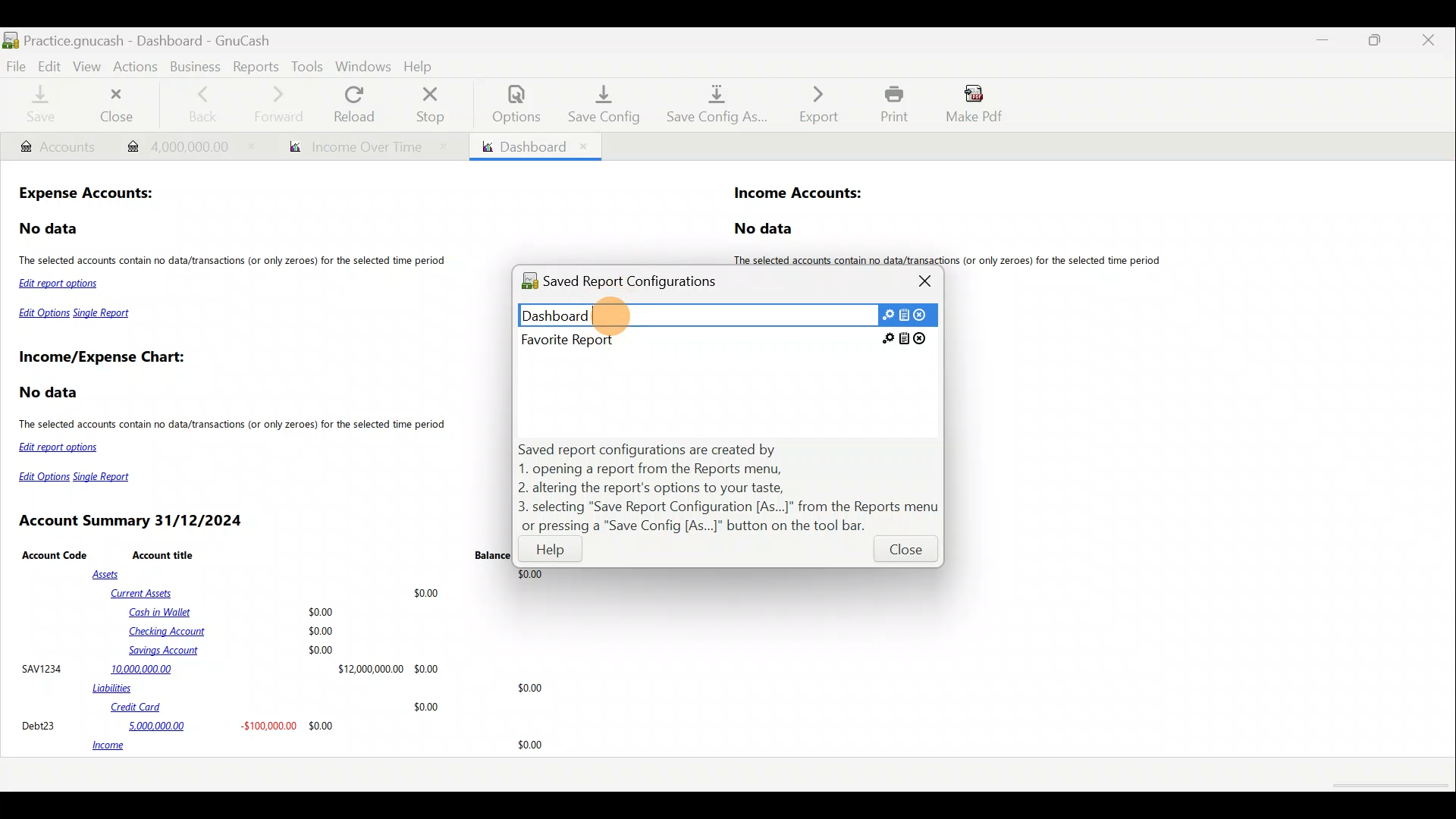 This screenshot has height=819, width=1456. I want to click on No data, so click(50, 229).